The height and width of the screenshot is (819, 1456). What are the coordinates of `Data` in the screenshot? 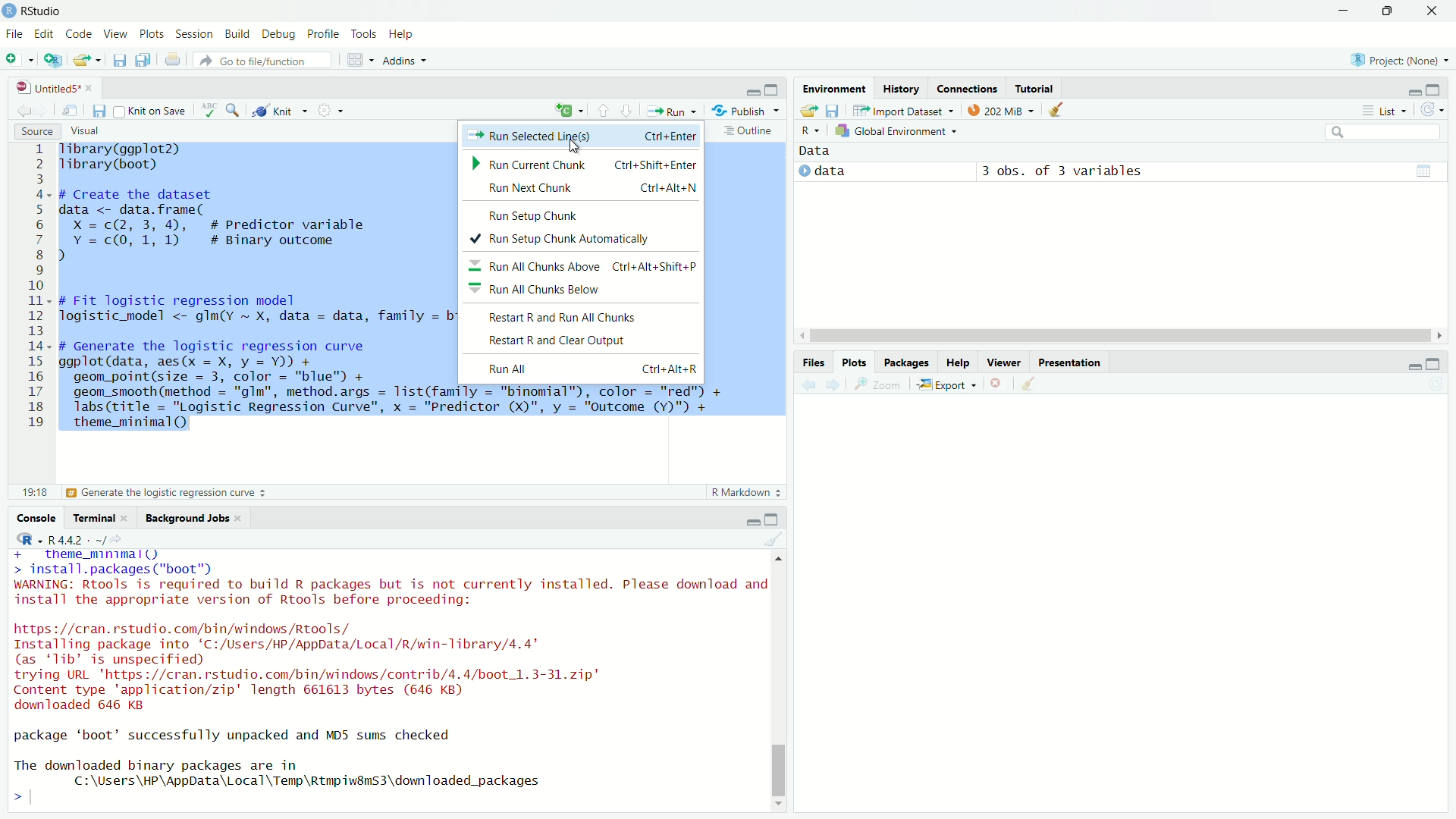 It's located at (815, 151).